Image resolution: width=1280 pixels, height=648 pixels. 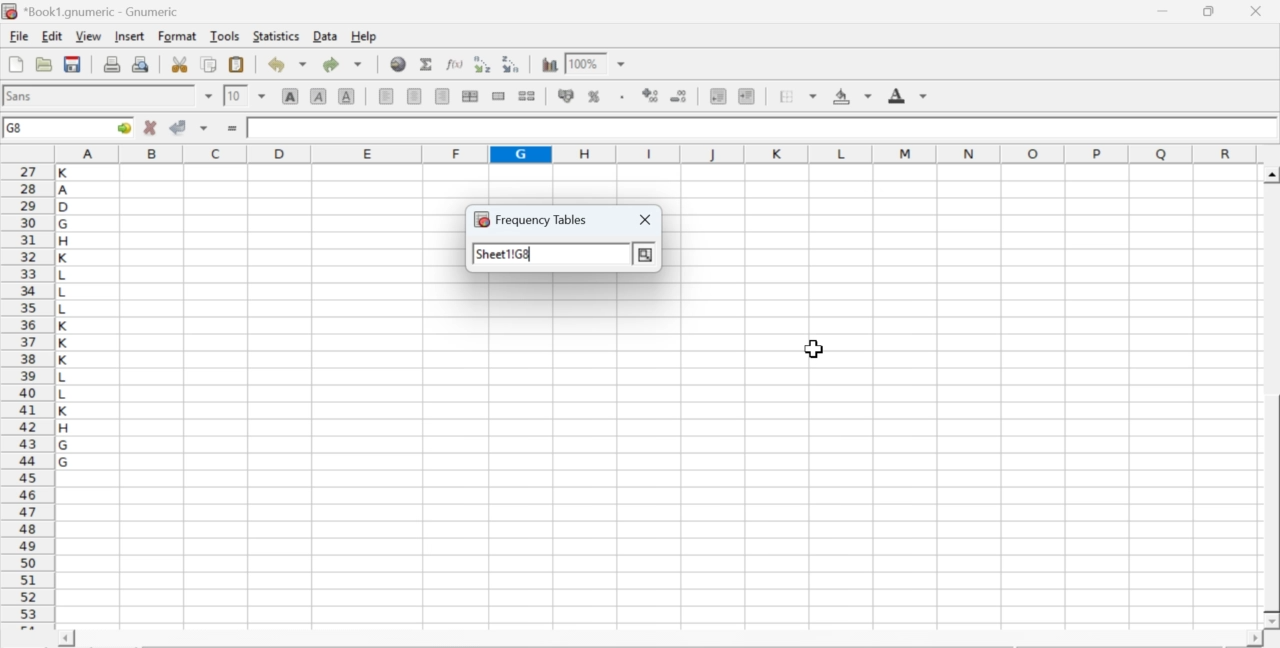 I want to click on sum in current cell, so click(x=427, y=63).